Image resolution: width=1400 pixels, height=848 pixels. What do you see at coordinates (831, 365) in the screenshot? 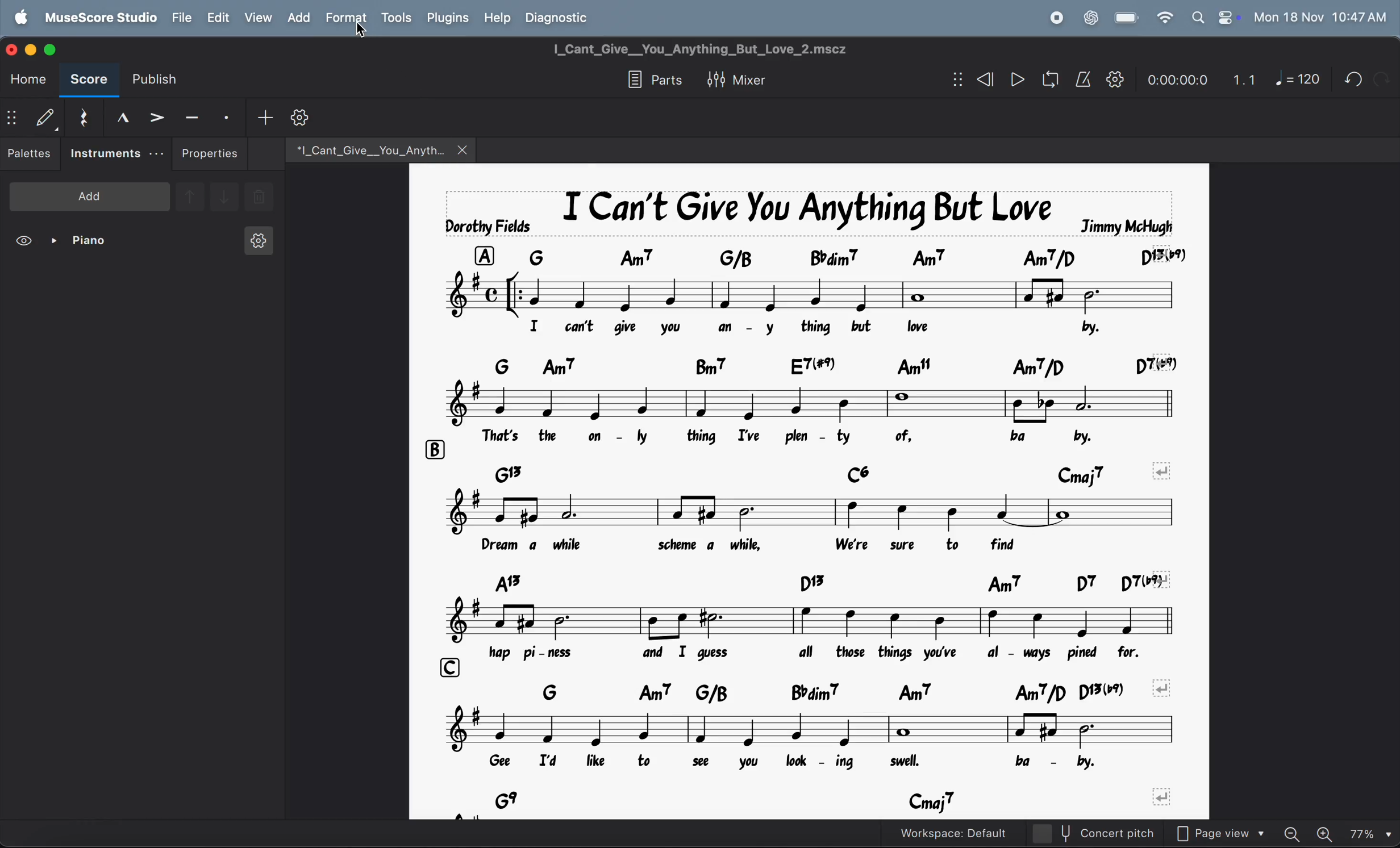
I see `chord symbols` at bounding box center [831, 365].